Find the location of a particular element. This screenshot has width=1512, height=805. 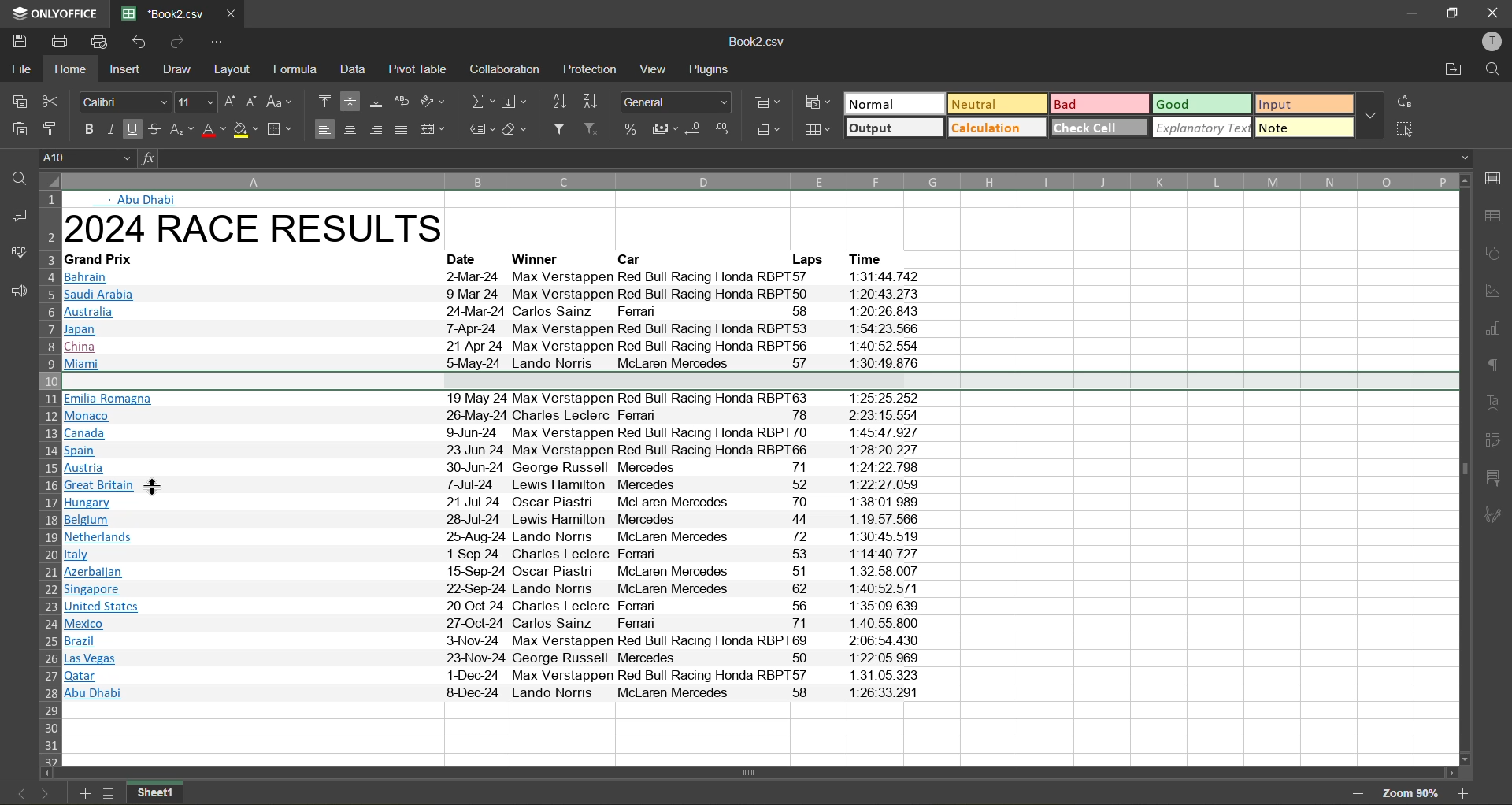

comments is located at coordinates (16, 218).